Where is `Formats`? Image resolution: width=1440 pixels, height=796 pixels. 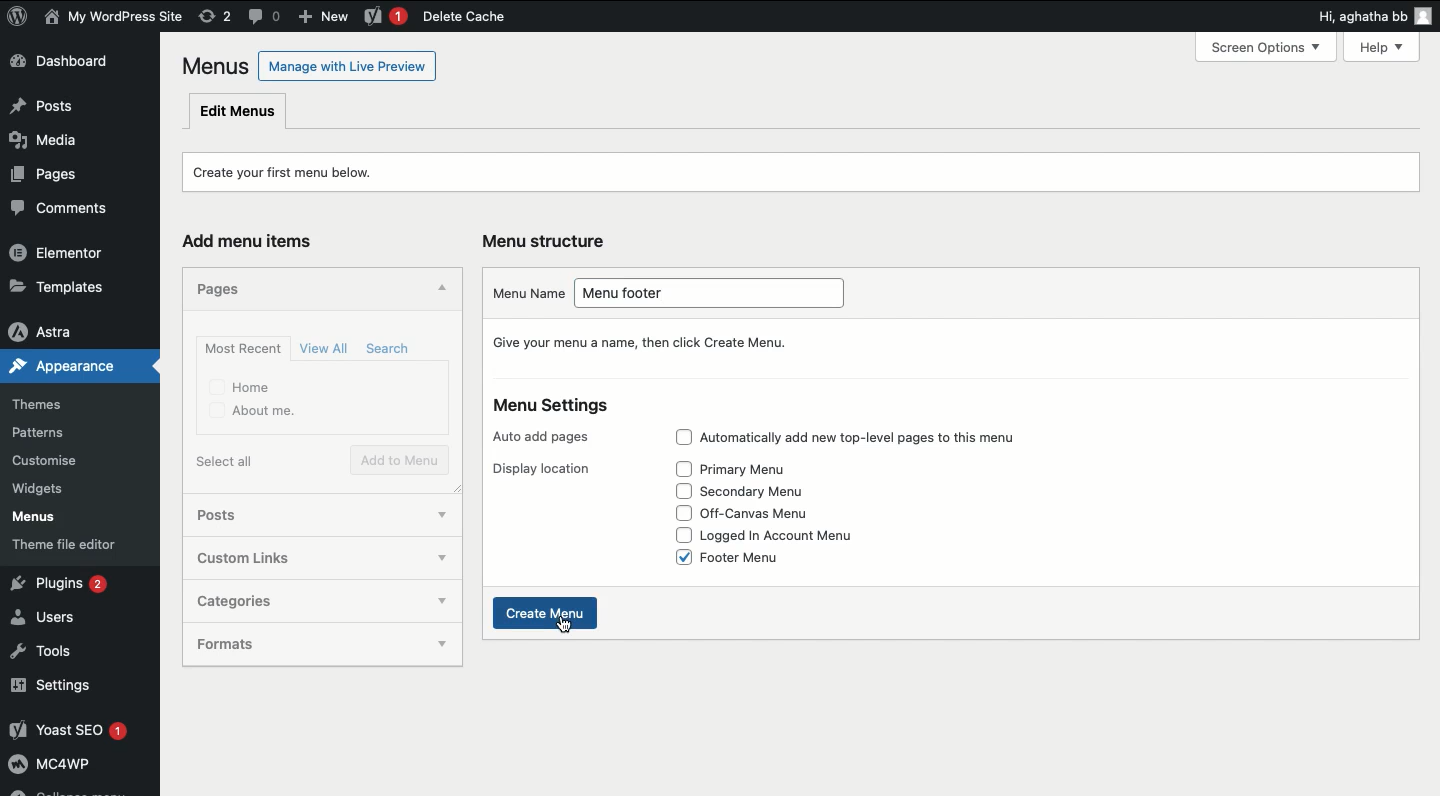 Formats is located at coordinates (289, 642).